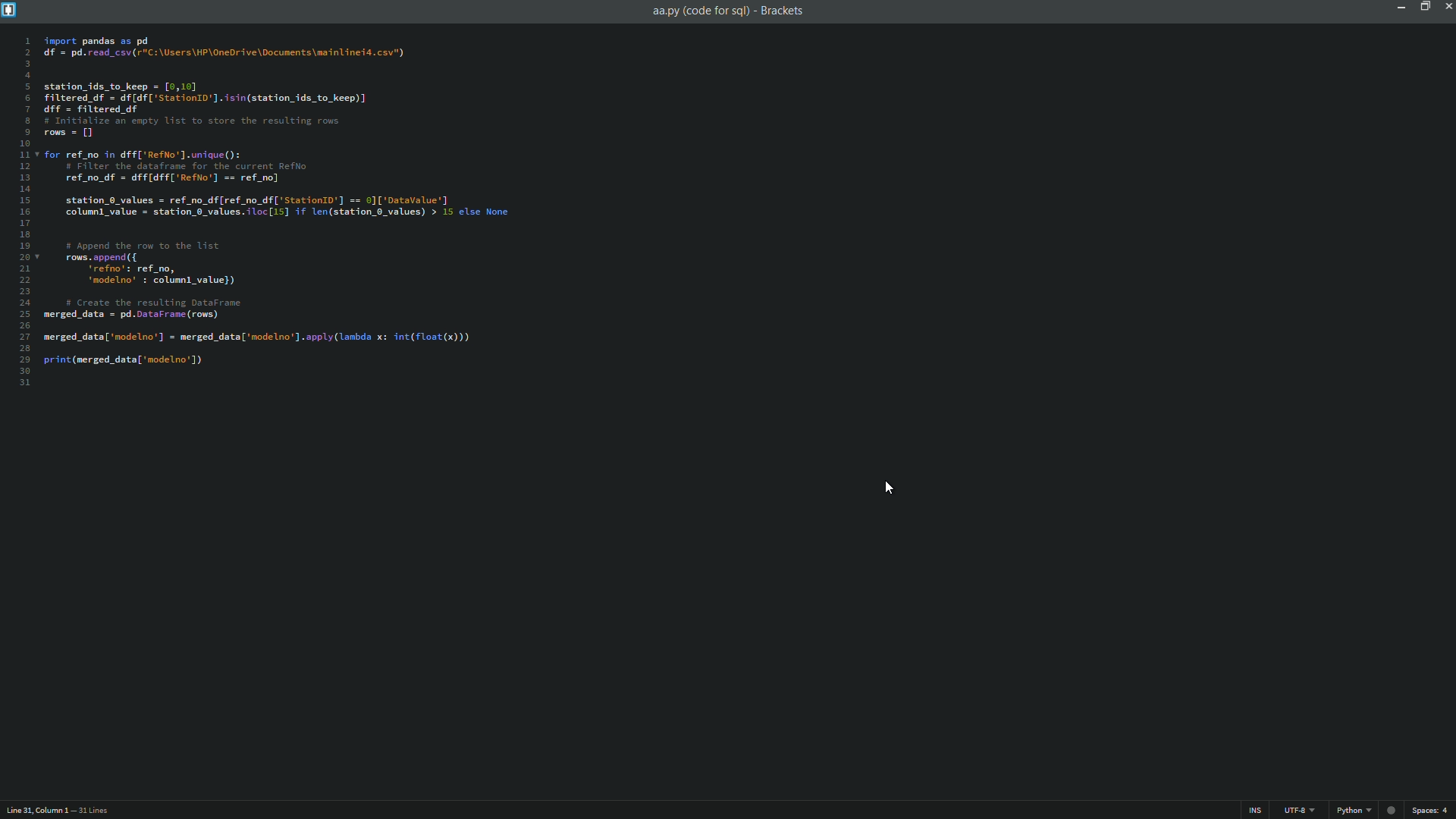 This screenshot has height=819, width=1456. I want to click on space, so click(1434, 811).